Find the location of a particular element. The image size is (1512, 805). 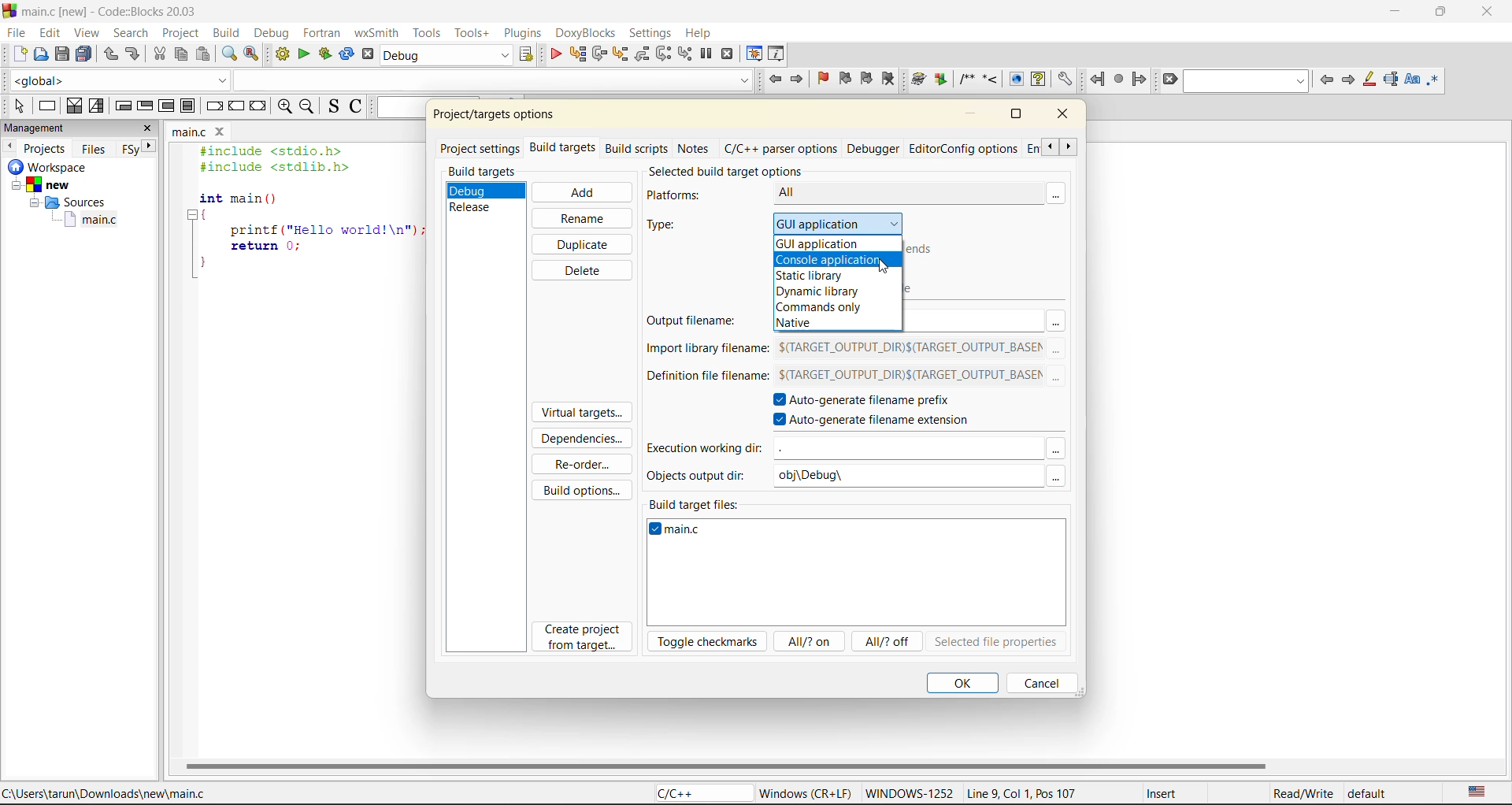

workspace is located at coordinates (51, 168).